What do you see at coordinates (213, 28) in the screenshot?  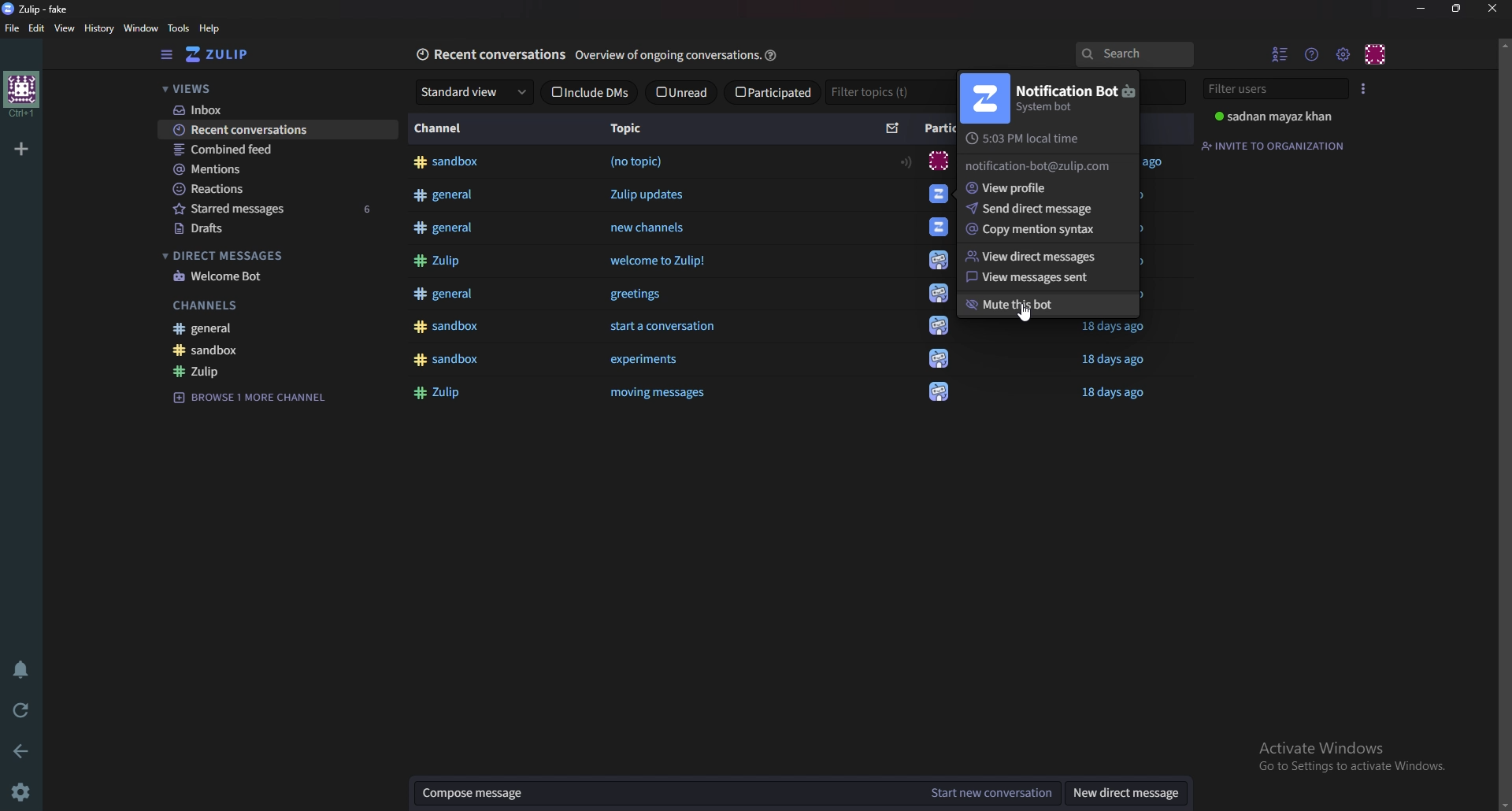 I see `Help` at bounding box center [213, 28].